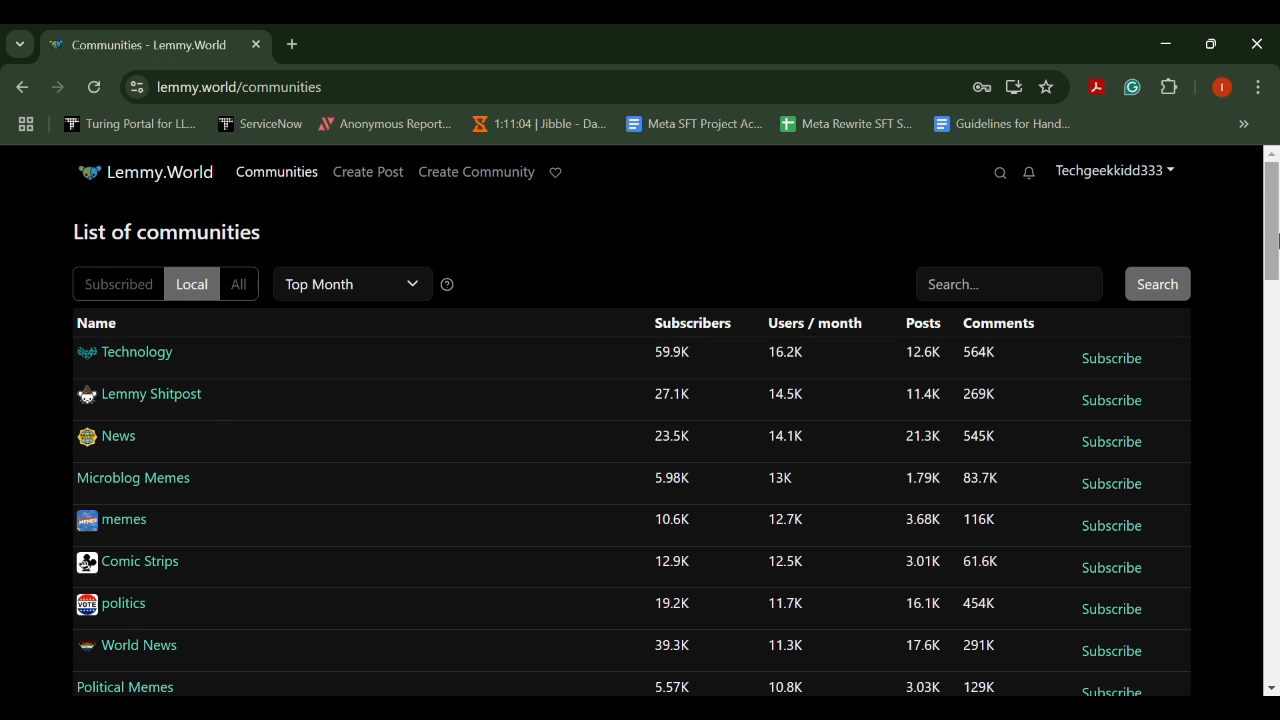 The width and height of the screenshot is (1280, 720). I want to click on Extensions, so click(1170, 88).